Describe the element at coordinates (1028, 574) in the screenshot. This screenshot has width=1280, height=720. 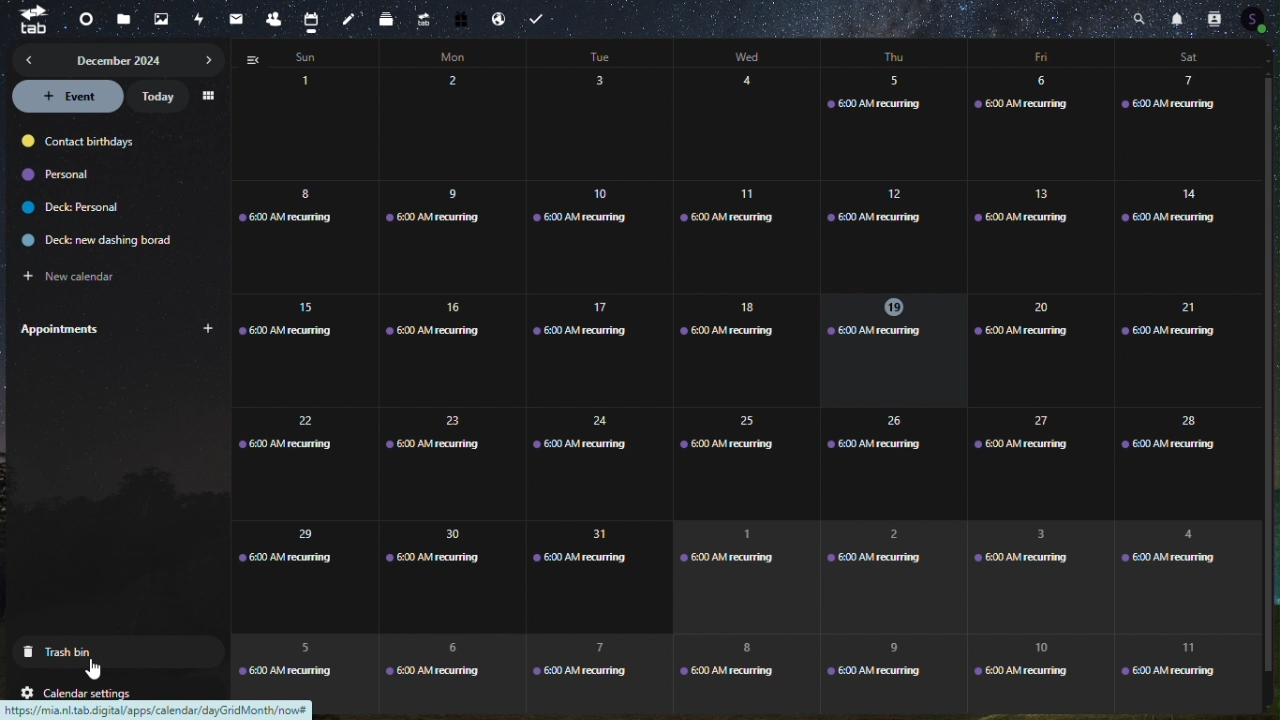
I see `3` at that location.